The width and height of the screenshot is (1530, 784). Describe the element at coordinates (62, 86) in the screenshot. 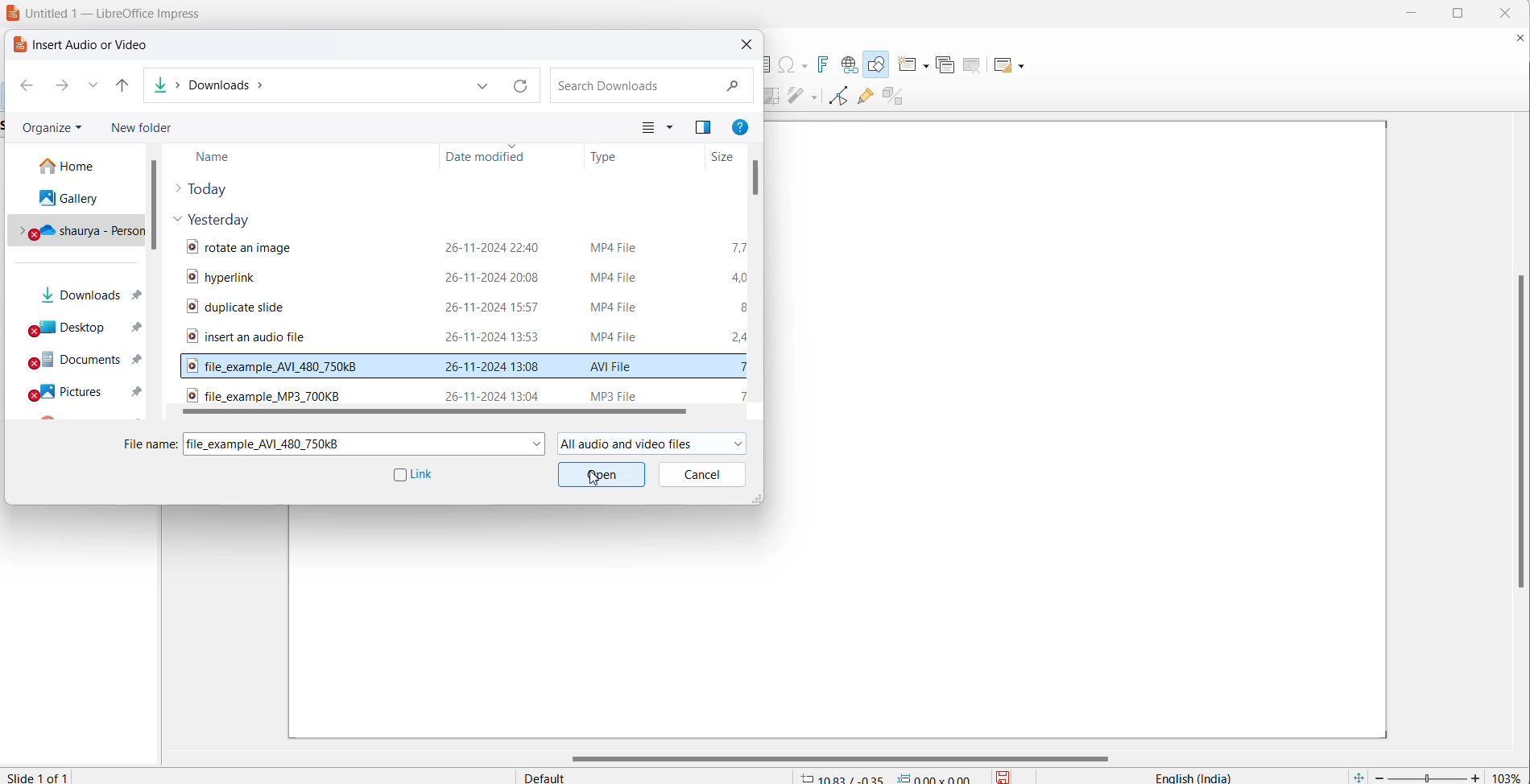

I see `forward` at that location.